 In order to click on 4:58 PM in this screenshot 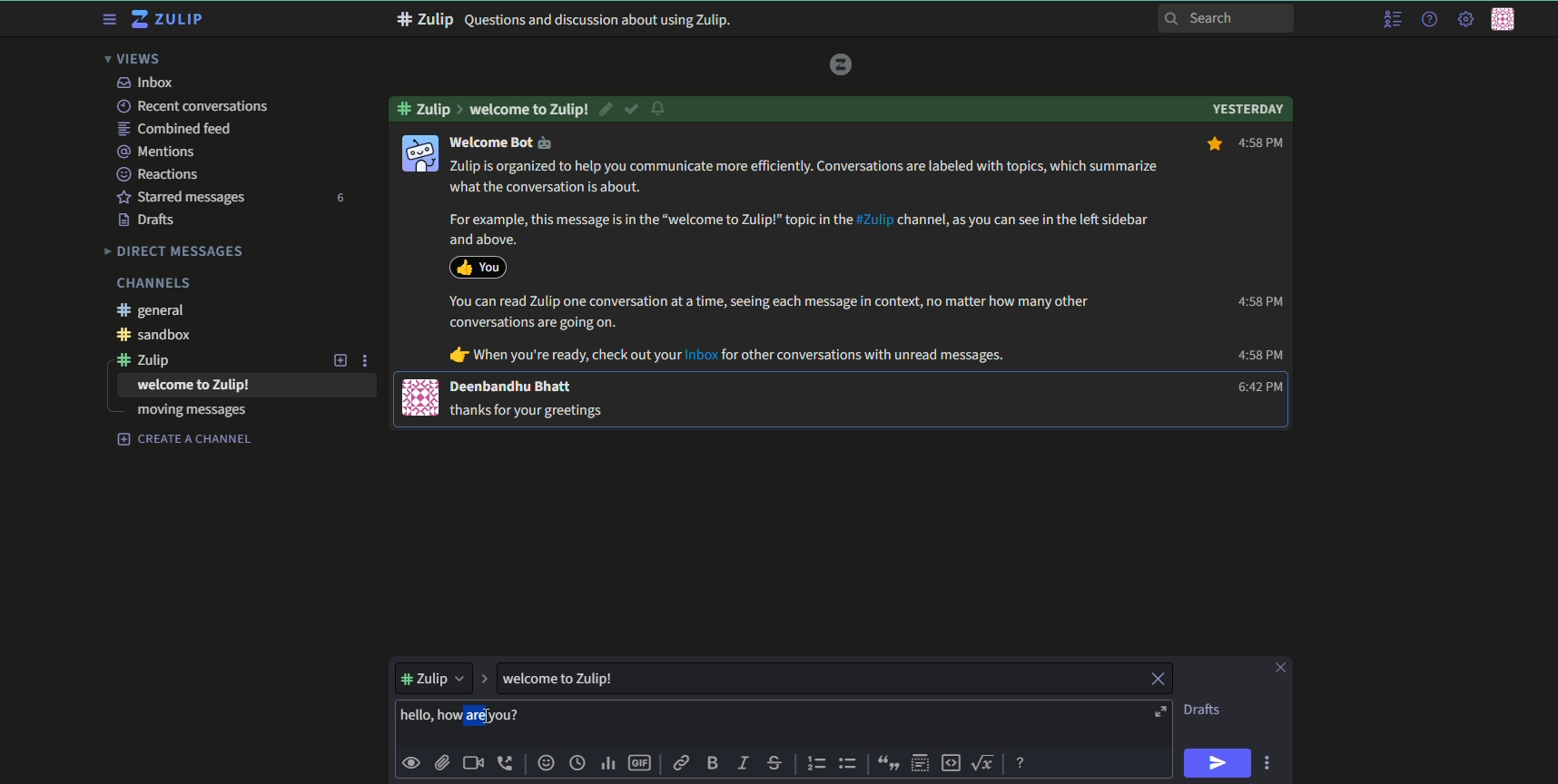, I will do `click(1260, 356)`.